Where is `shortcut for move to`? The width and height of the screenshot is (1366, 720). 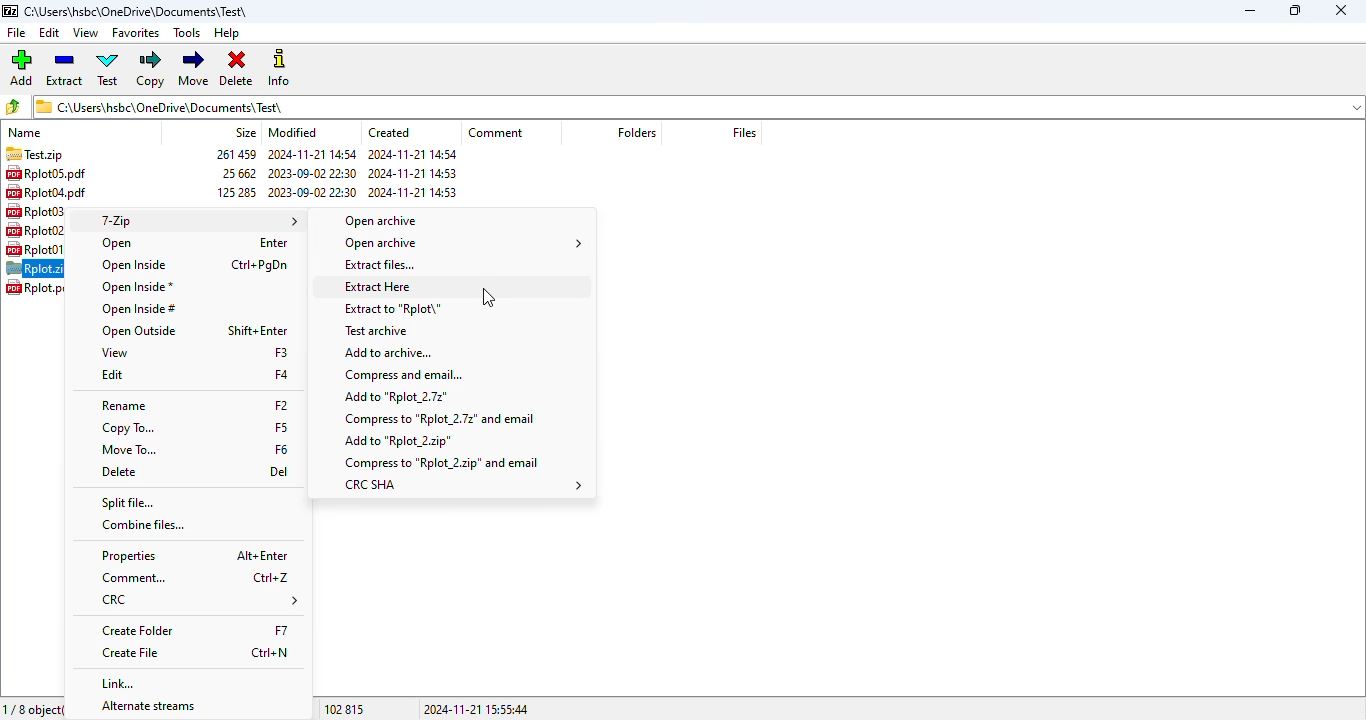
shortcut for move to is located at coordinates (283, 450).